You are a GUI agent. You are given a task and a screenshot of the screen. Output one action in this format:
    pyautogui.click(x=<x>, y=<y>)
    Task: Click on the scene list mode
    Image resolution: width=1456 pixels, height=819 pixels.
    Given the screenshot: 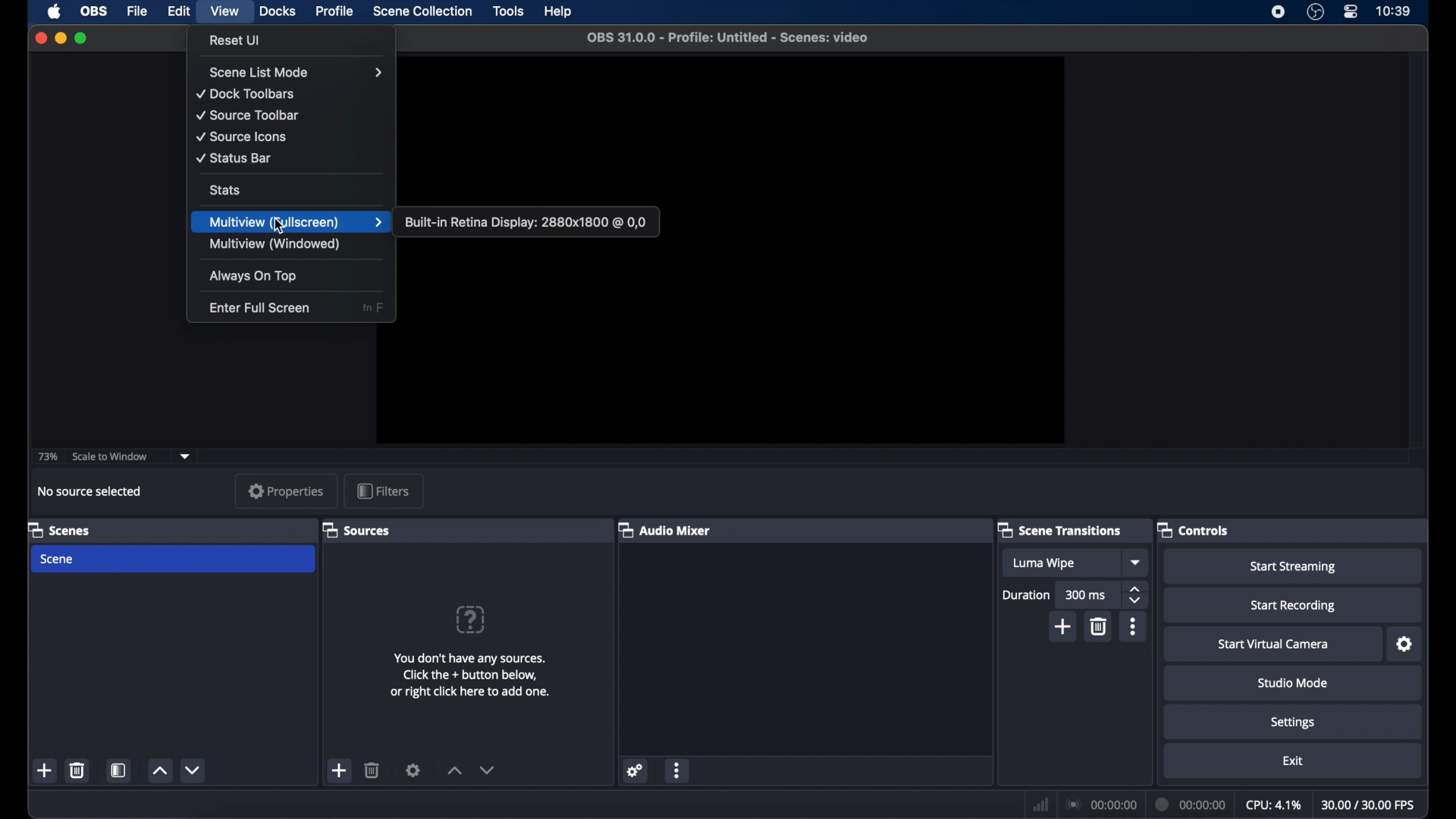 What is the action you would take?
    pyautogui.click(x=297, y=73)
    